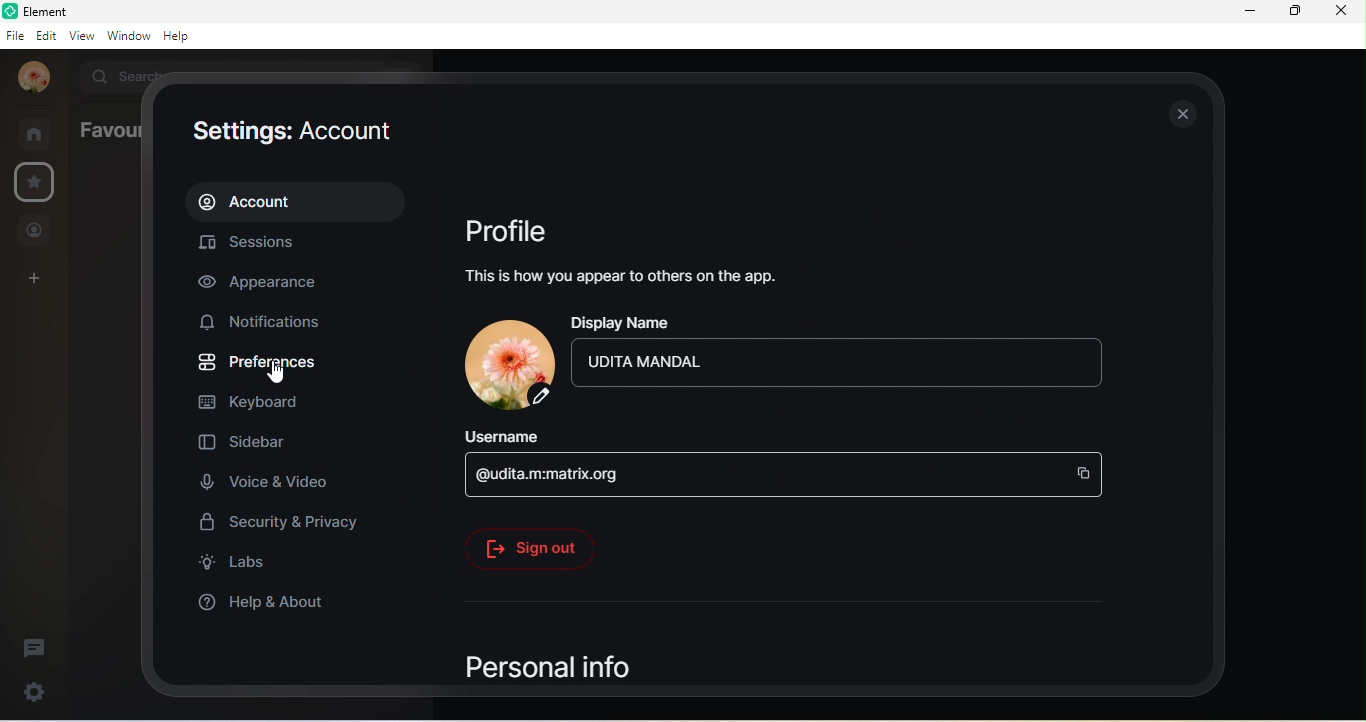  I want to click on maximize, so click(1293, 13).